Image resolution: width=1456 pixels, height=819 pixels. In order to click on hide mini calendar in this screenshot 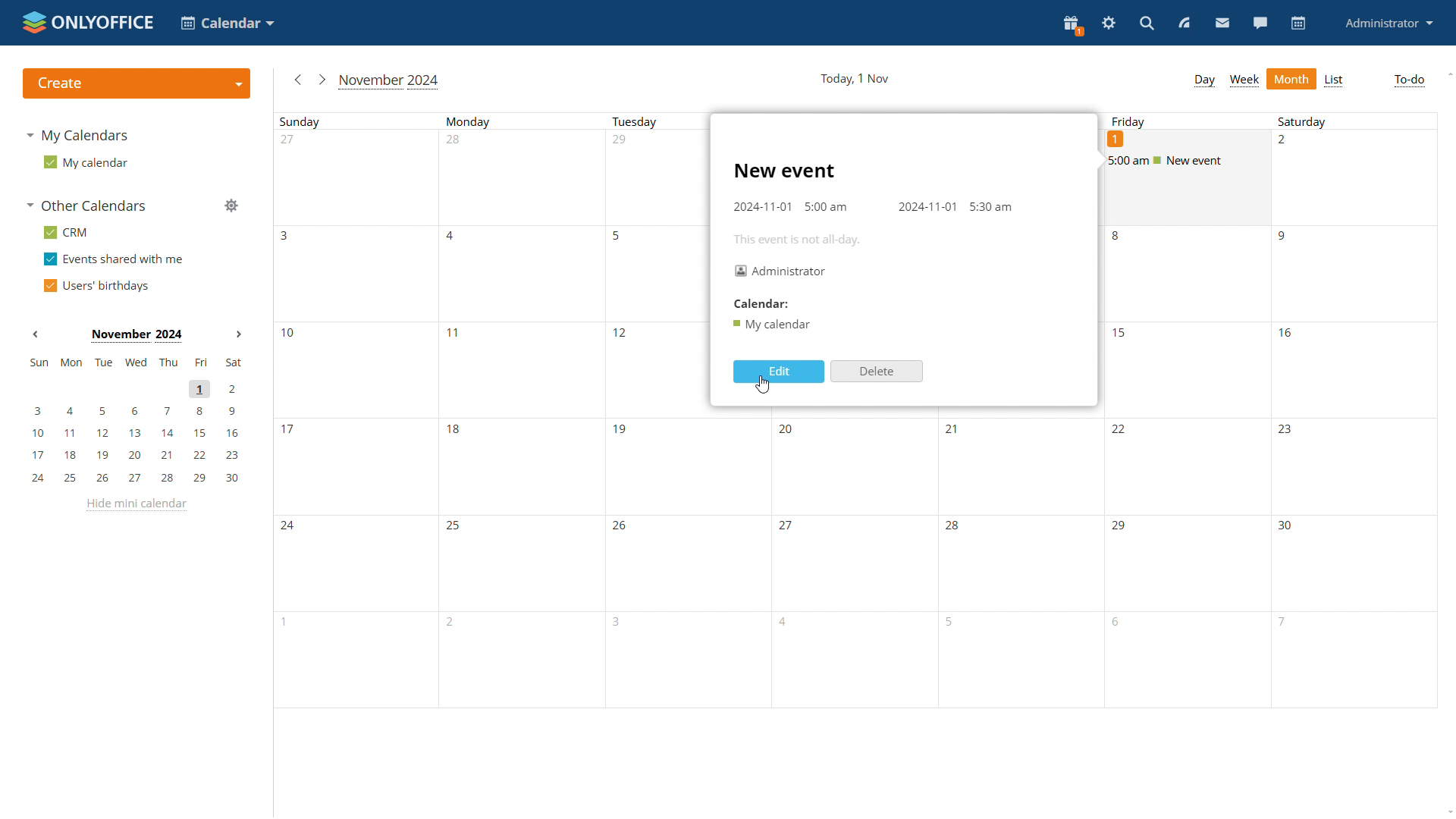, I will do `click(136, 505)`.